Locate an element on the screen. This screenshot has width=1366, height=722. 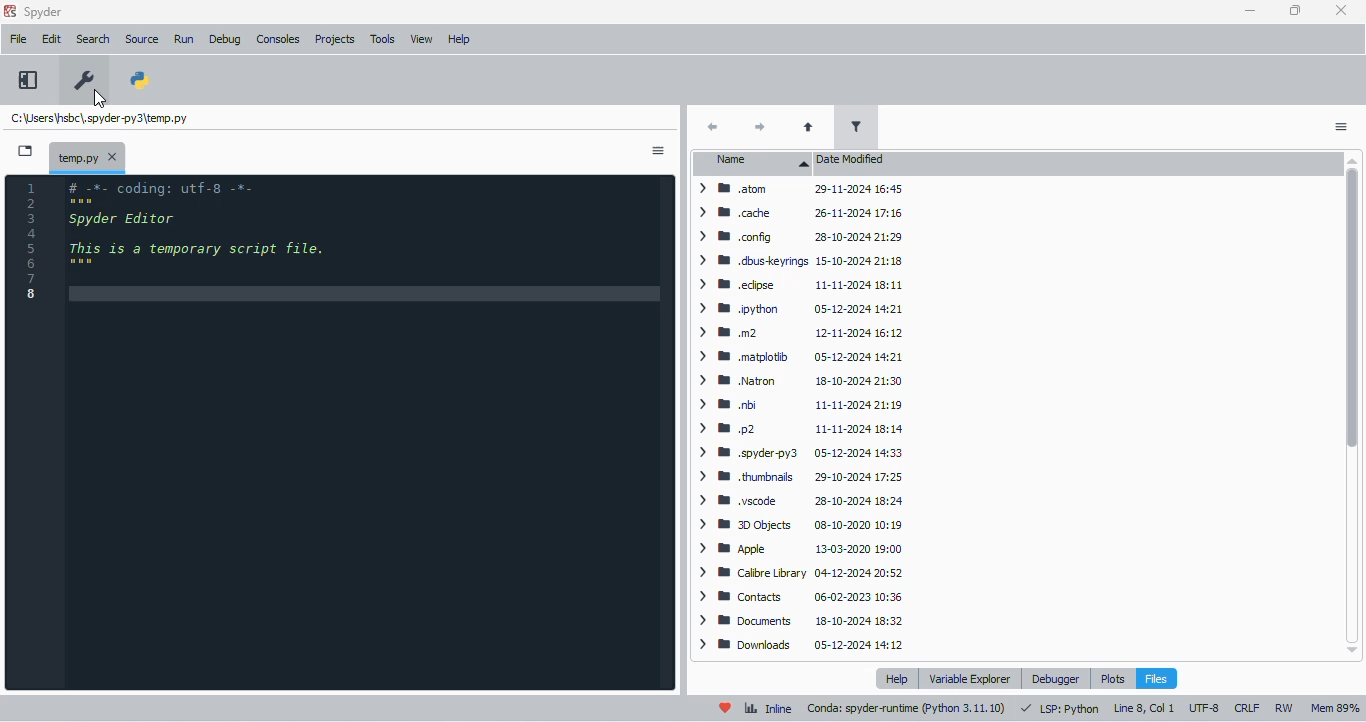
temporary file is located at coordinates (99, 118).